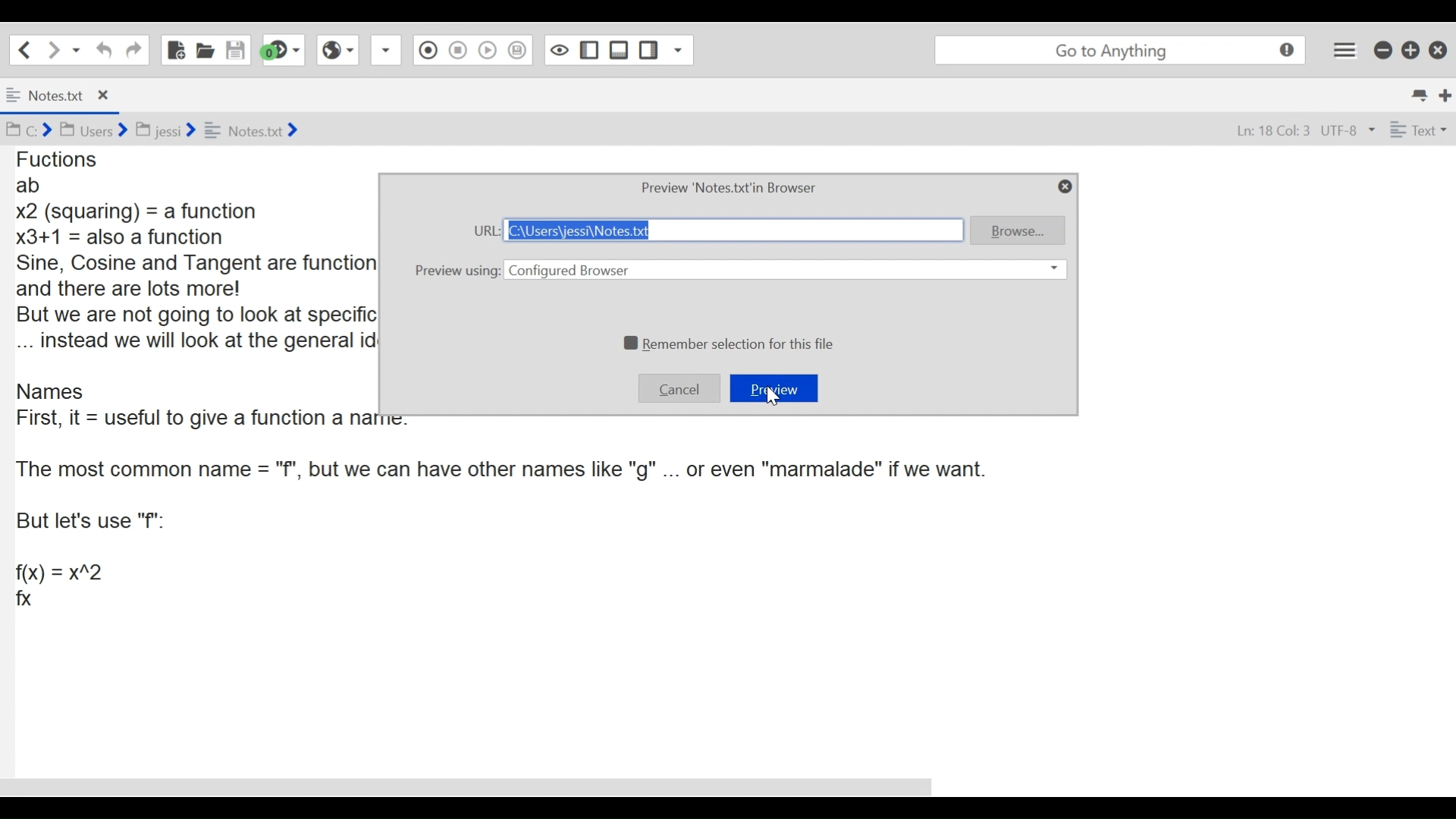 This screenshot has width=1456, height=819. I want to click on Cursor, so click(776, 398).